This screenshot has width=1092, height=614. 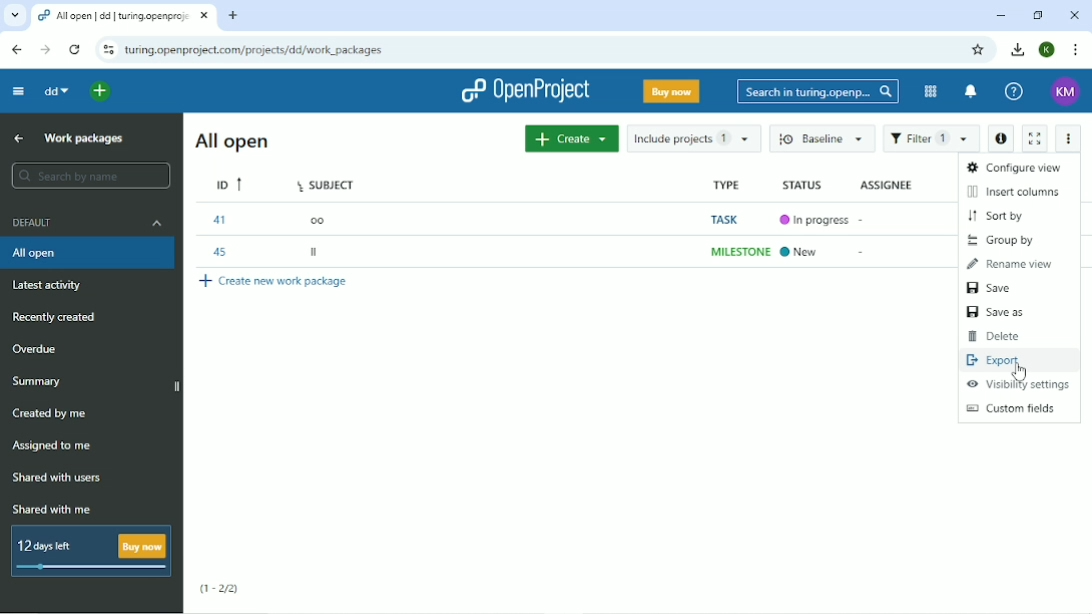 What do you see at coordinates (821, 138) in the screenshot?
I see `Baseline` at bounding box center [821, 138].